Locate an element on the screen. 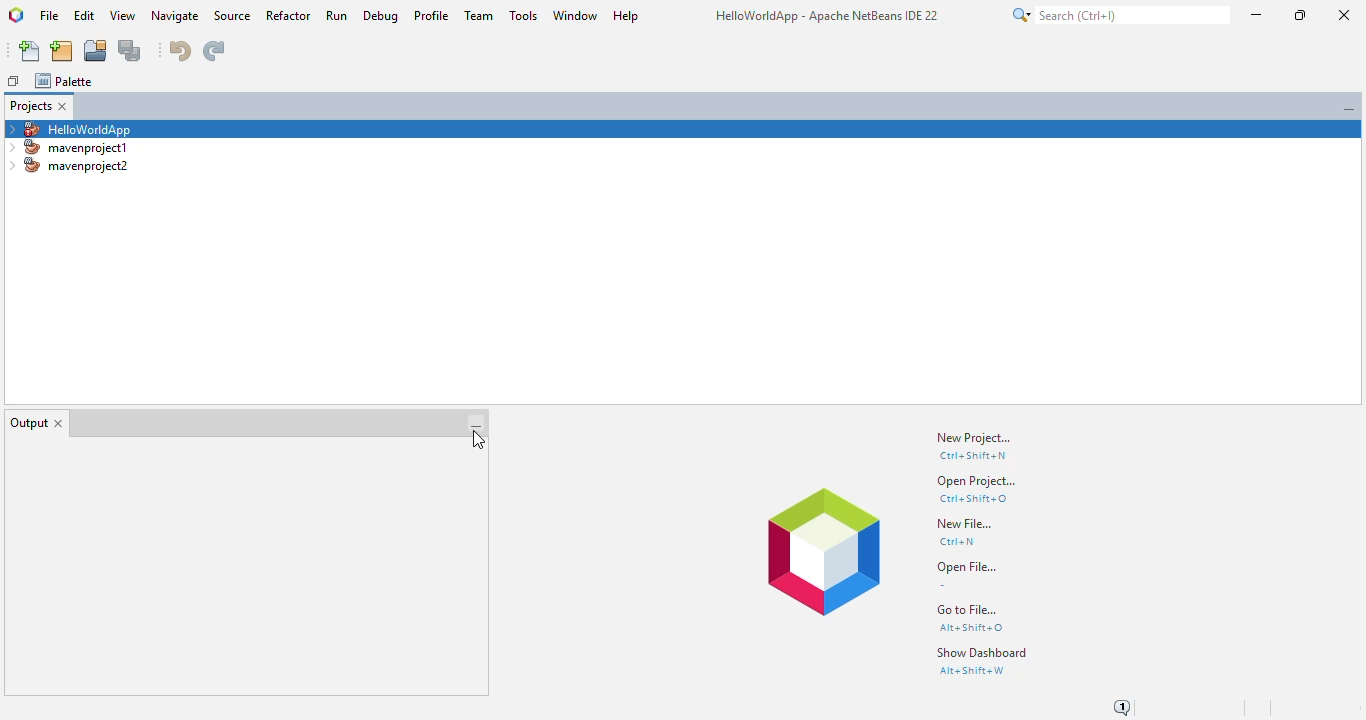 This screenshot has height=720, width=1366. shortcut for open project is located at coordinates (973, 498).